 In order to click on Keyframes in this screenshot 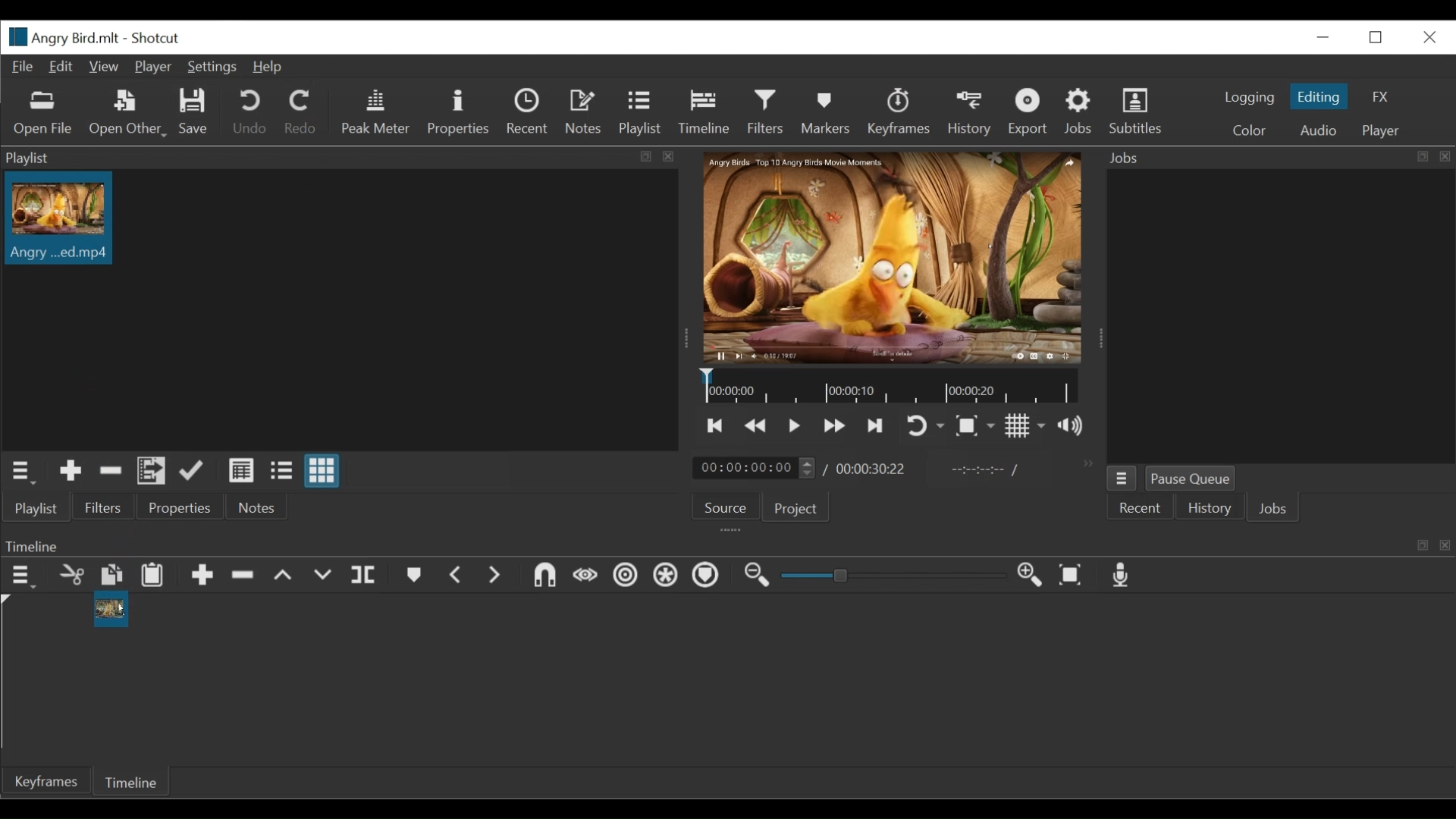, I will do `click(899, 111)`.